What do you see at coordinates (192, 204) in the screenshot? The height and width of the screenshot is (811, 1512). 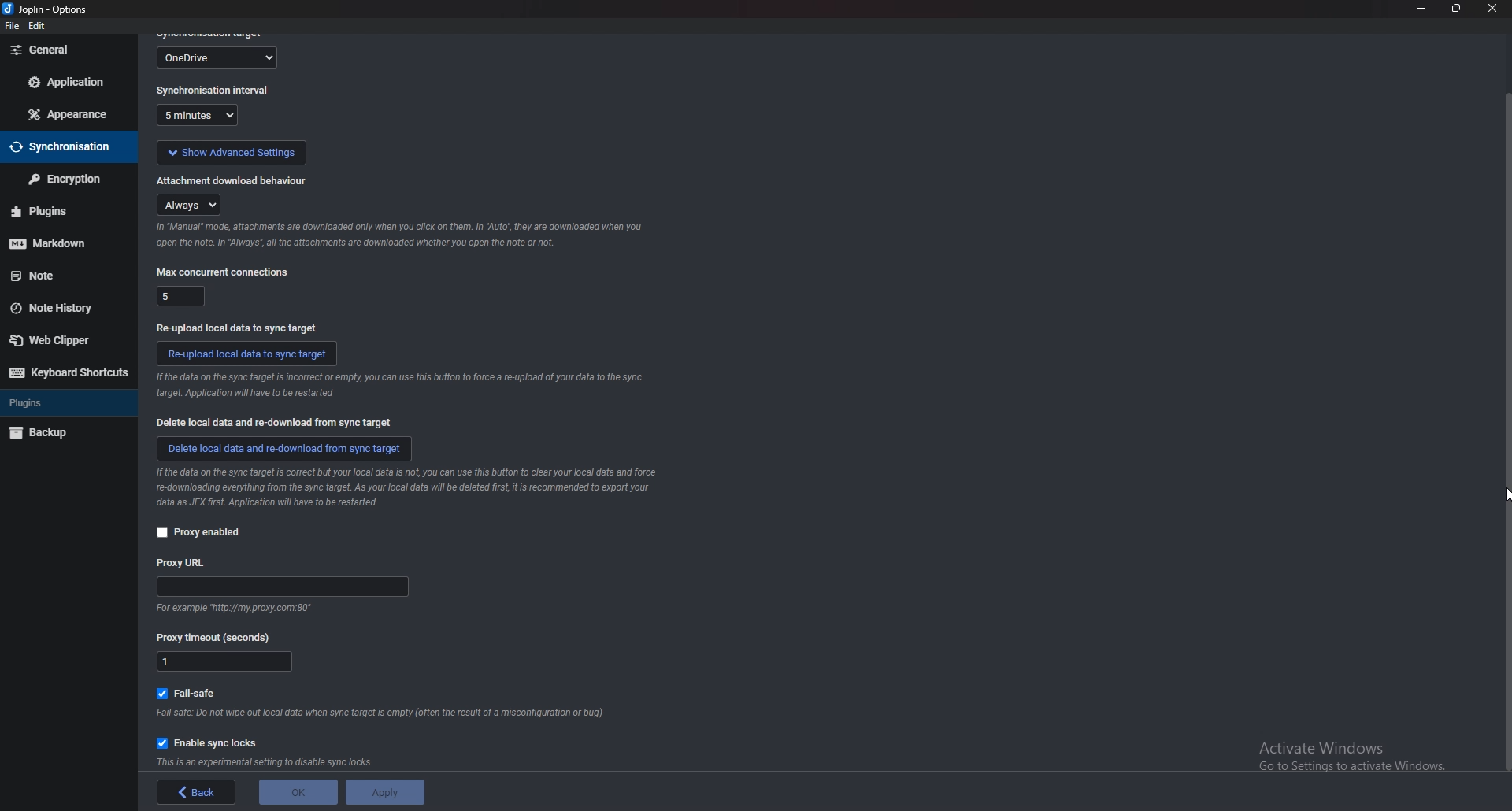 I see `attachment download behaviour` at bounding box center [192, 204].